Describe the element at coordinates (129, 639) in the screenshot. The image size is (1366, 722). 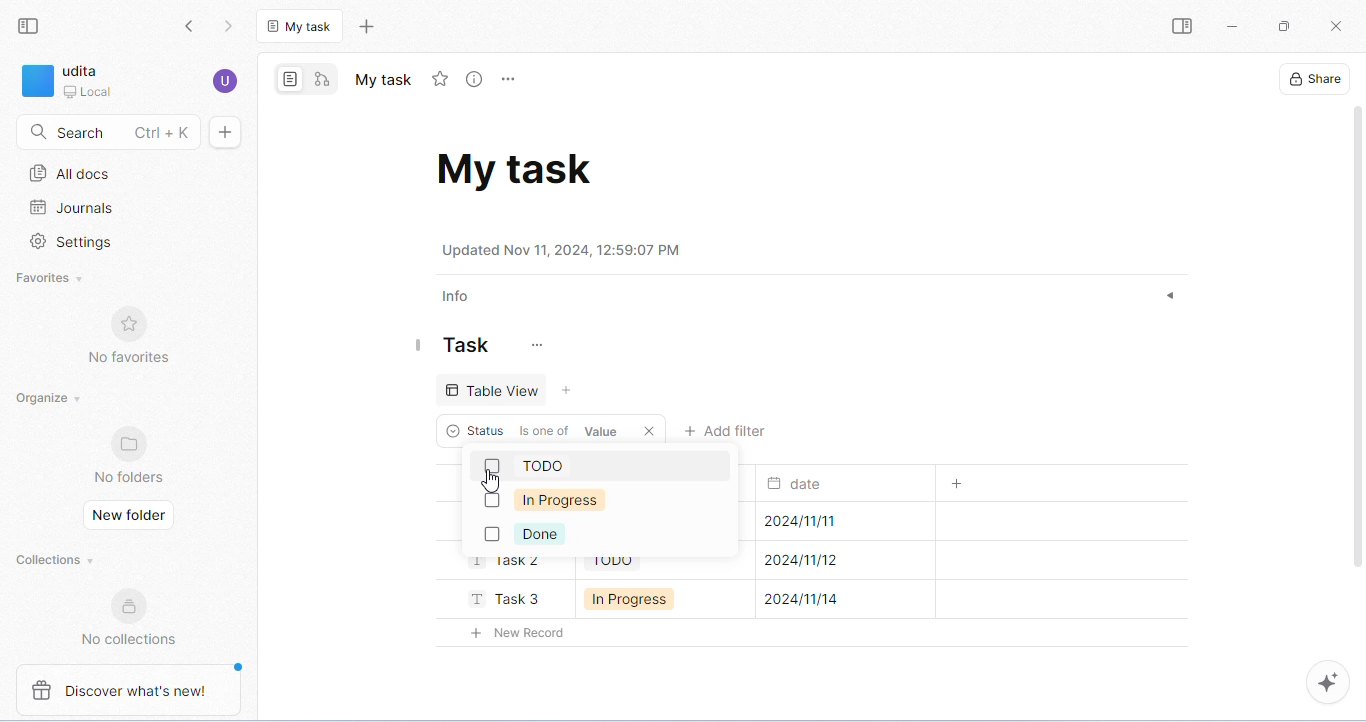
I see `no collections` at that location.